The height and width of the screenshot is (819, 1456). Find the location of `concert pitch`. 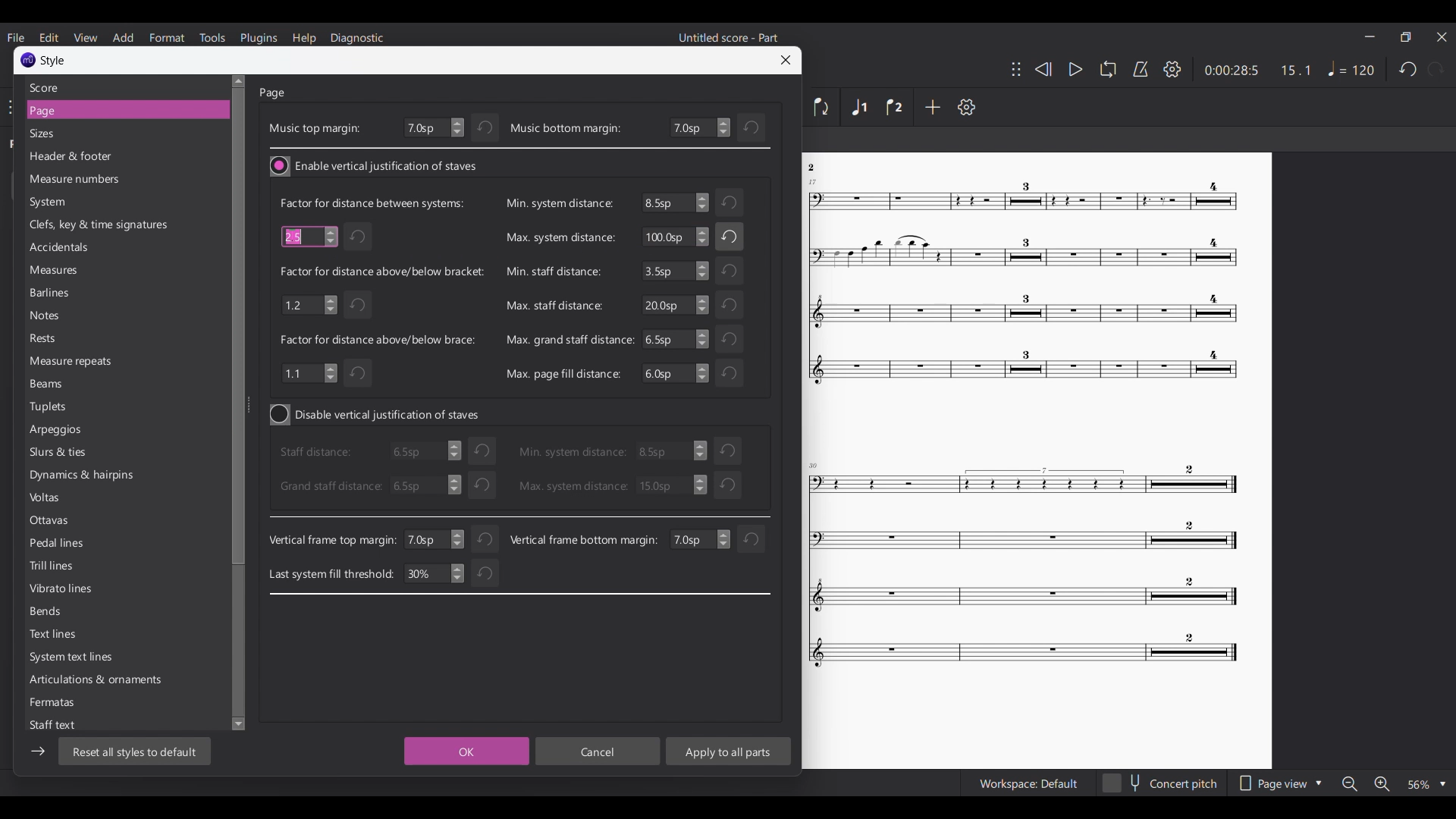

concert pitch is located at coordinates (1160, 785).